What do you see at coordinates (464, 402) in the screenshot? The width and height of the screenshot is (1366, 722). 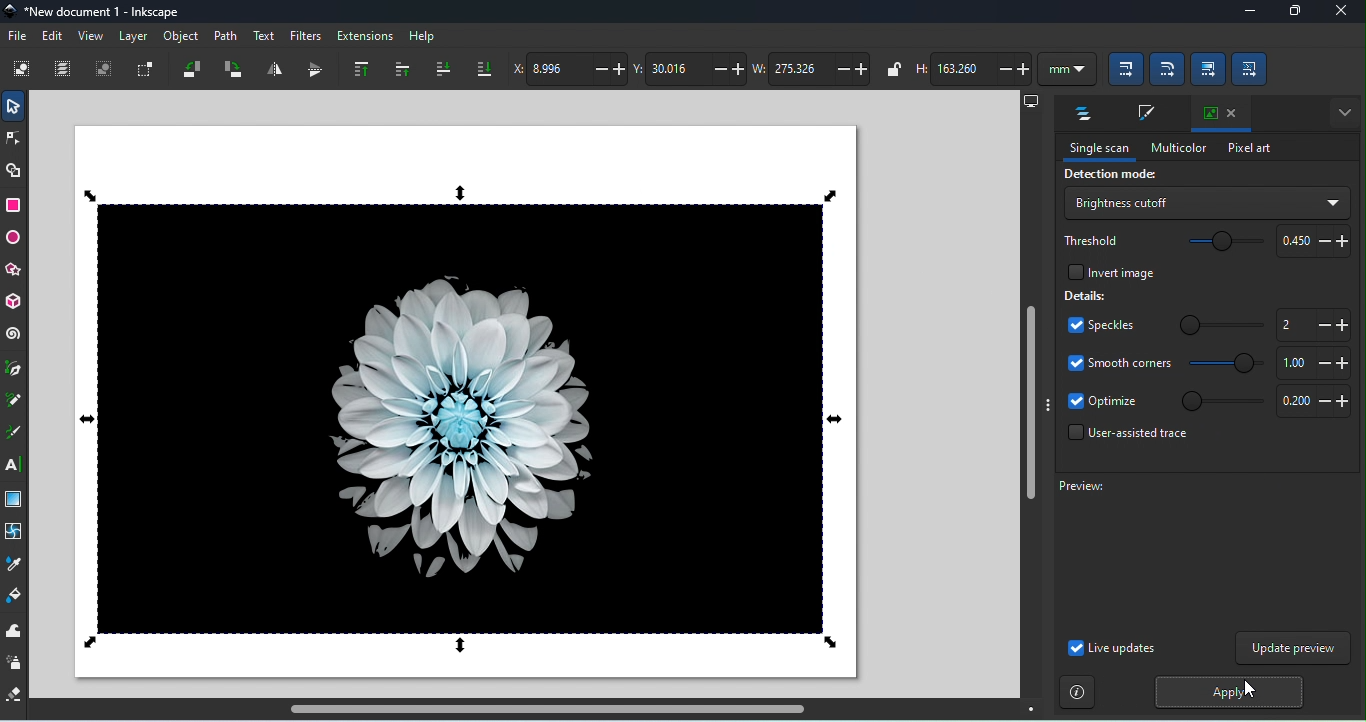 I see `Canvas` at bounding box center [464, 402].